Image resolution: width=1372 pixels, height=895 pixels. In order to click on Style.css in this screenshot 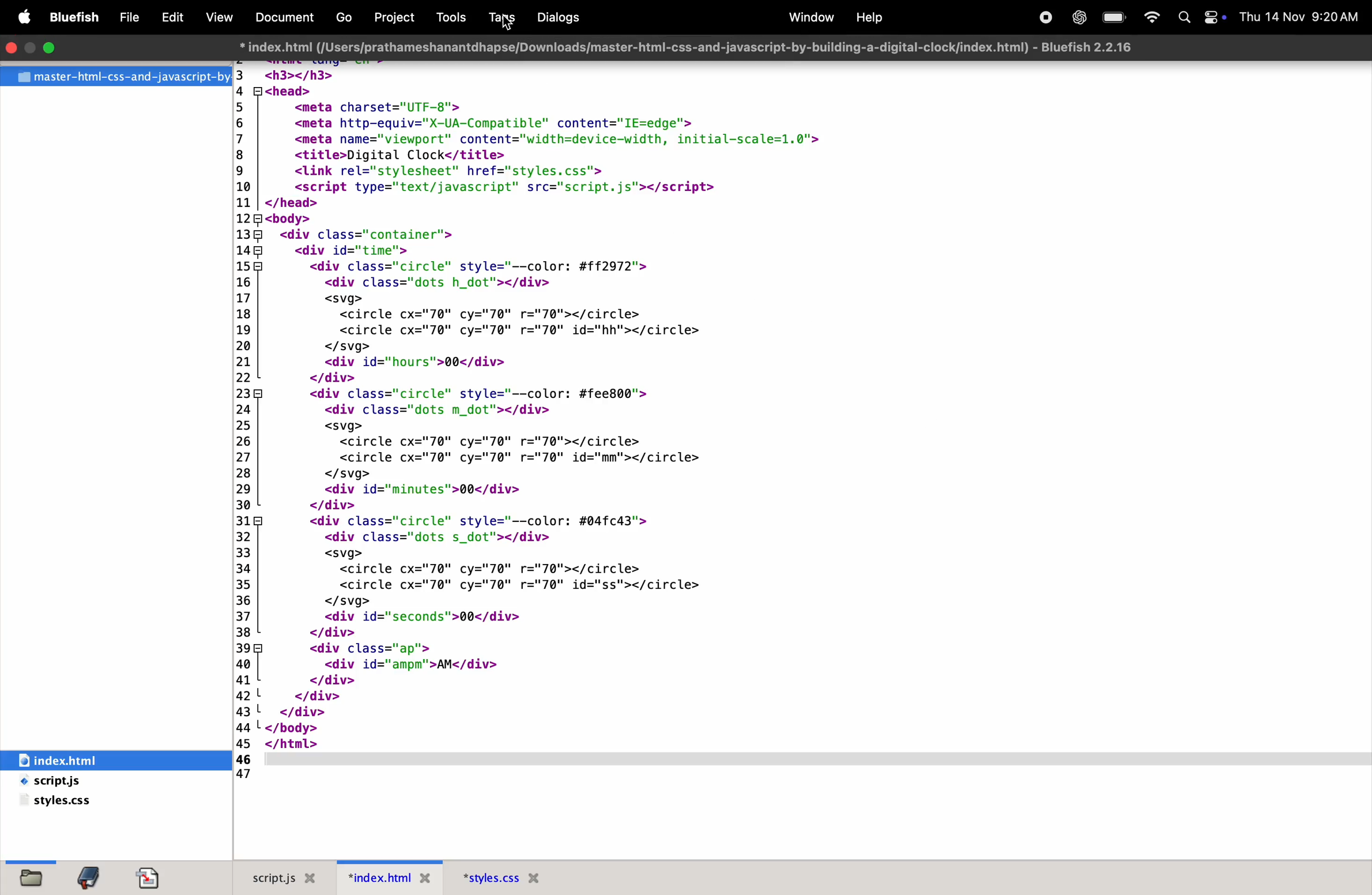, I will do `click(523, 877)`.